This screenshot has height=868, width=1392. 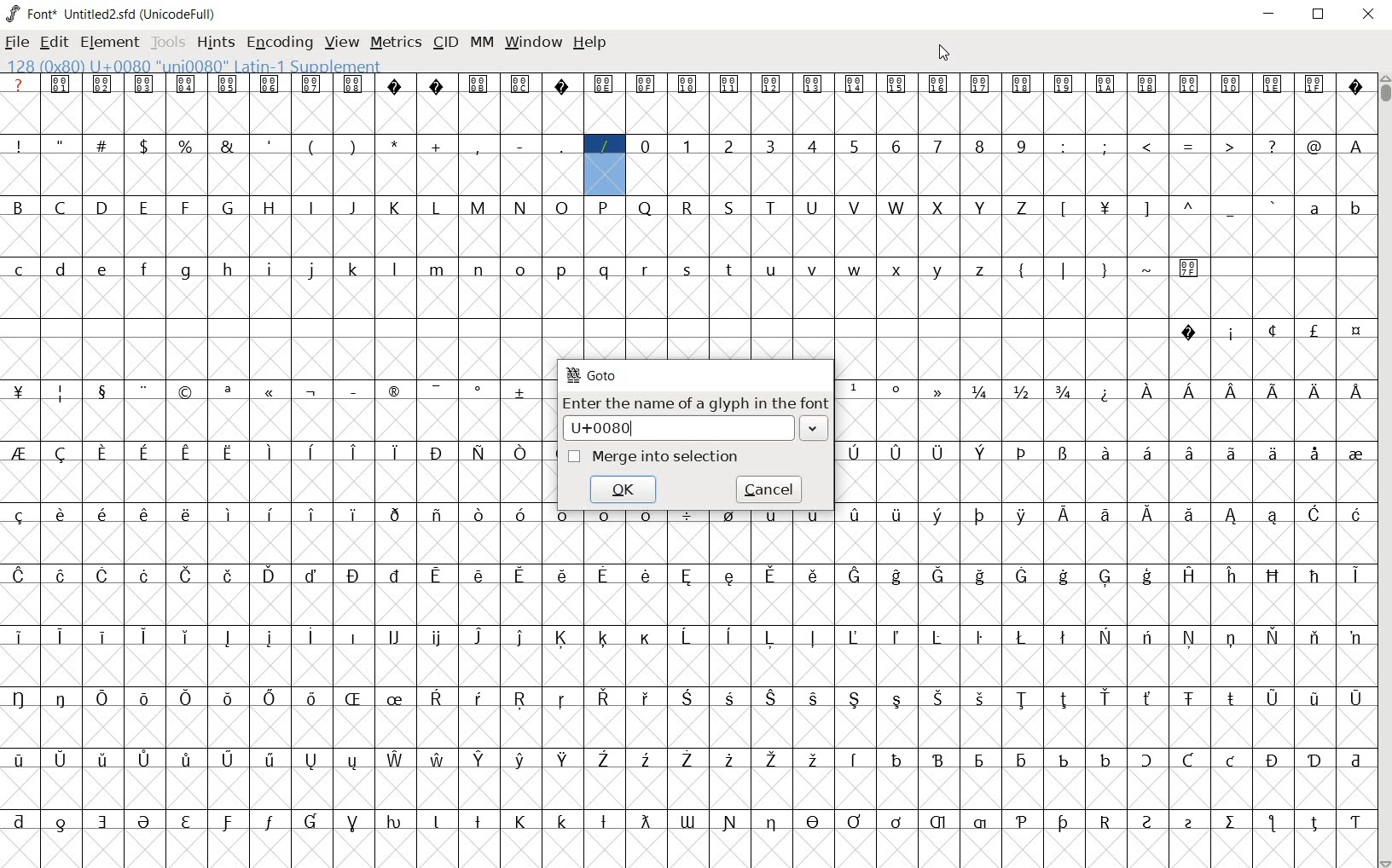 I want to click on glyph, so click(x=1148, y=515).